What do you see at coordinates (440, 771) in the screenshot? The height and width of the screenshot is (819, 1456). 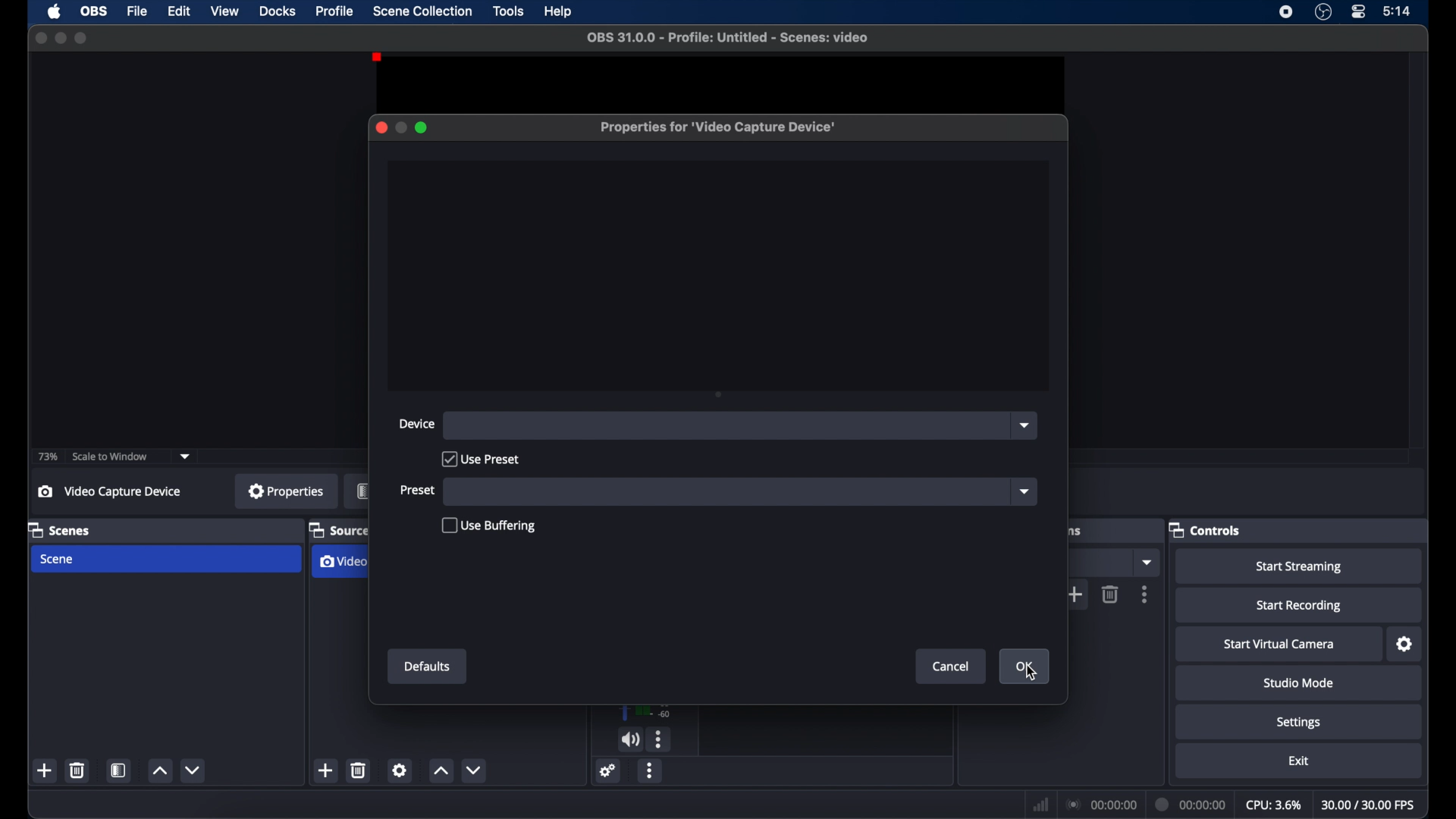 I see `increment` at bounding box center [440, 771].